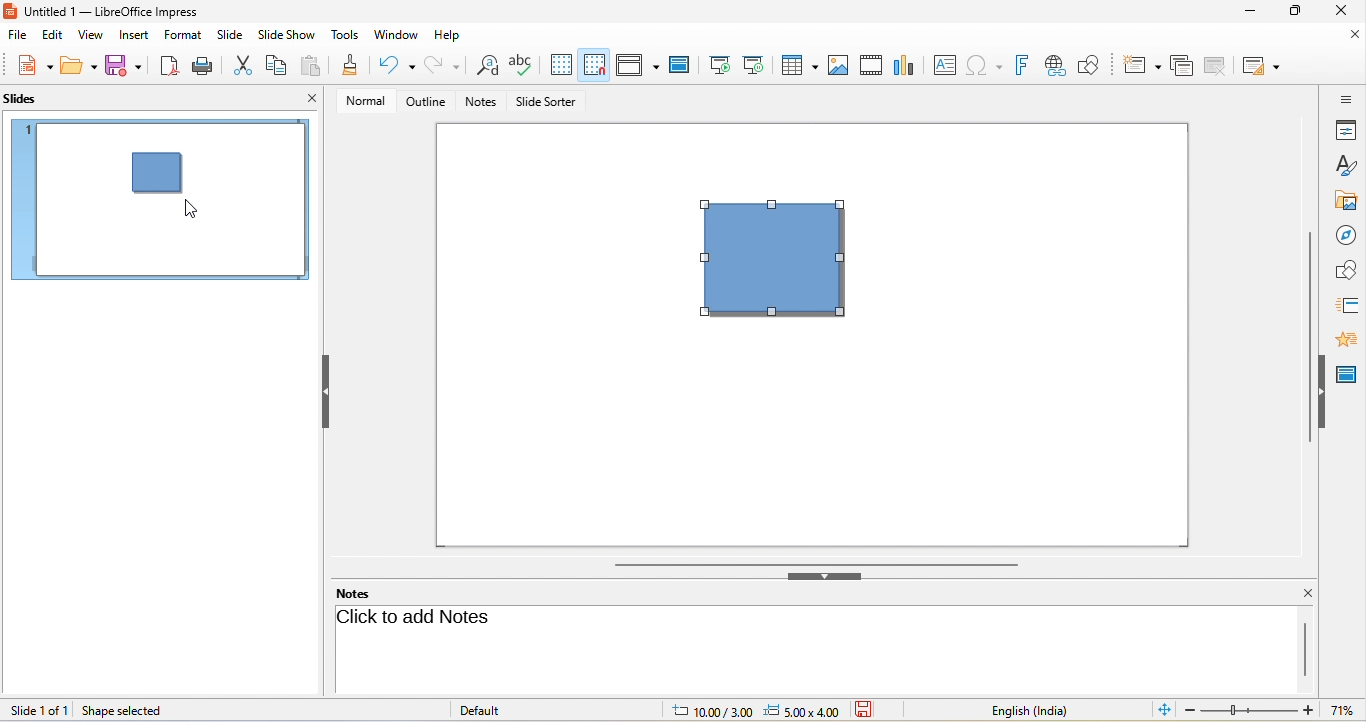 Image resolution: width=1366 pixels, height=722 pixels. I want to click on paste, so click(316, 67).